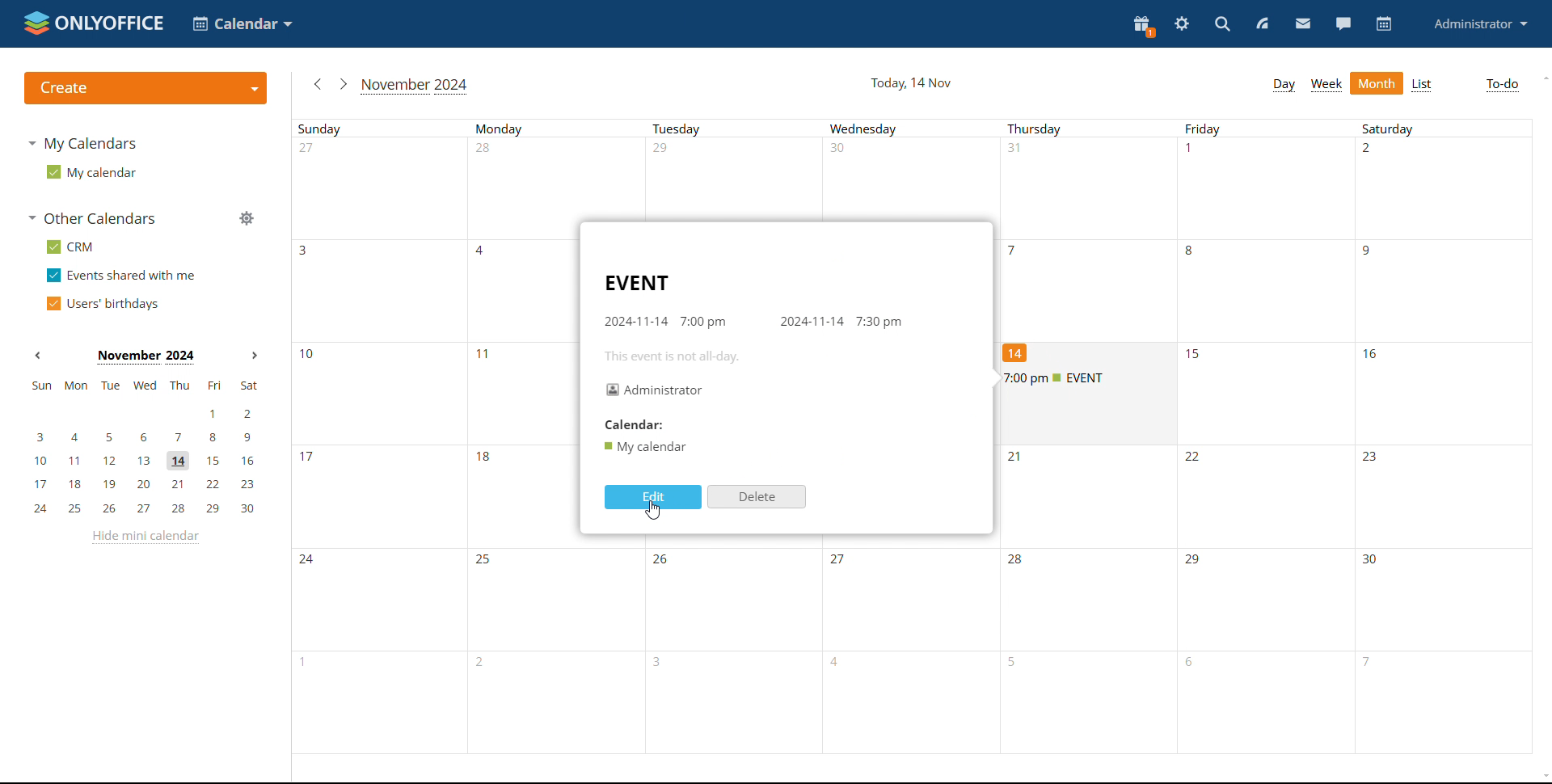 Image resolution: width=1552 pixels, height=784 pixels. Describe the element at coordinates (92, 23) in the screenshot. I see `logo` at that location.